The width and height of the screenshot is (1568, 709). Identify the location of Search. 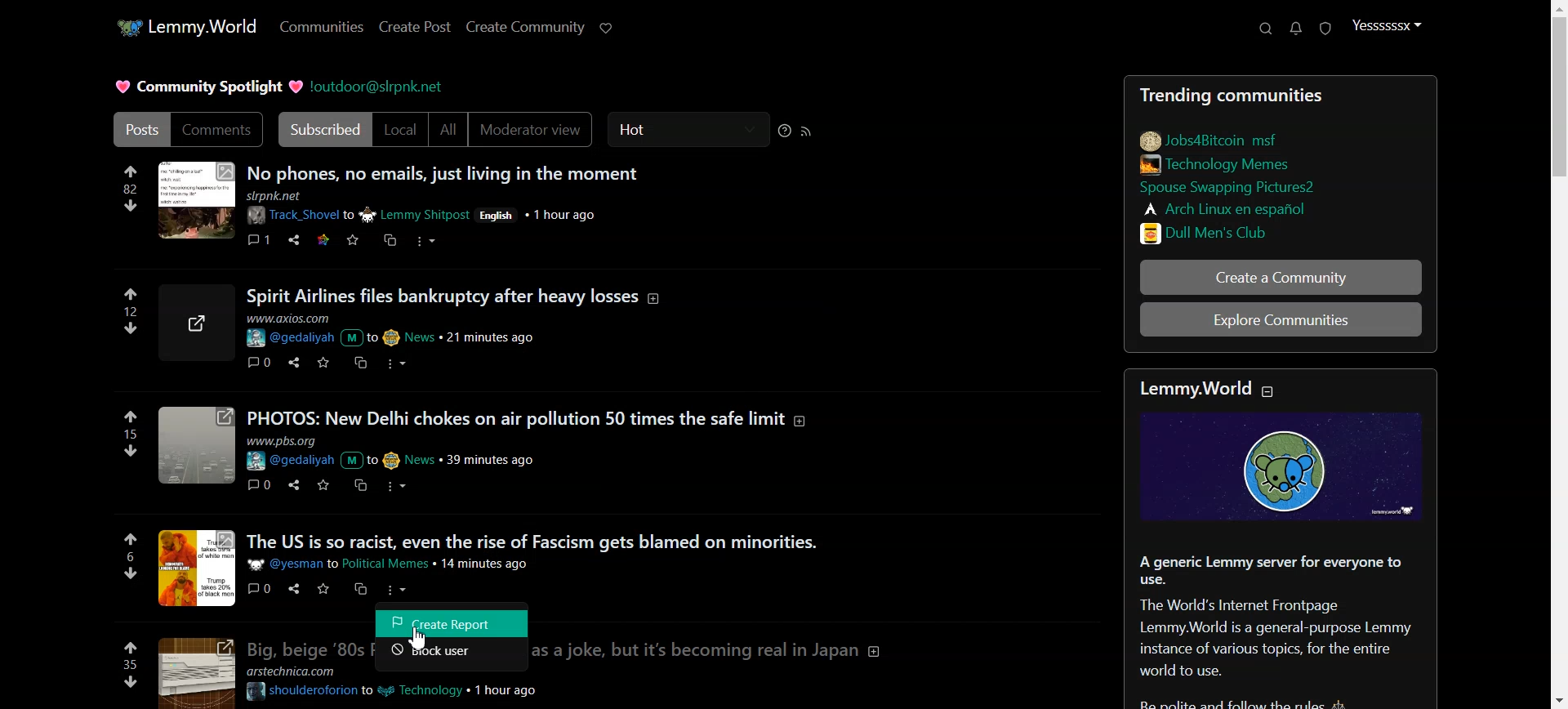
(1265, 29).